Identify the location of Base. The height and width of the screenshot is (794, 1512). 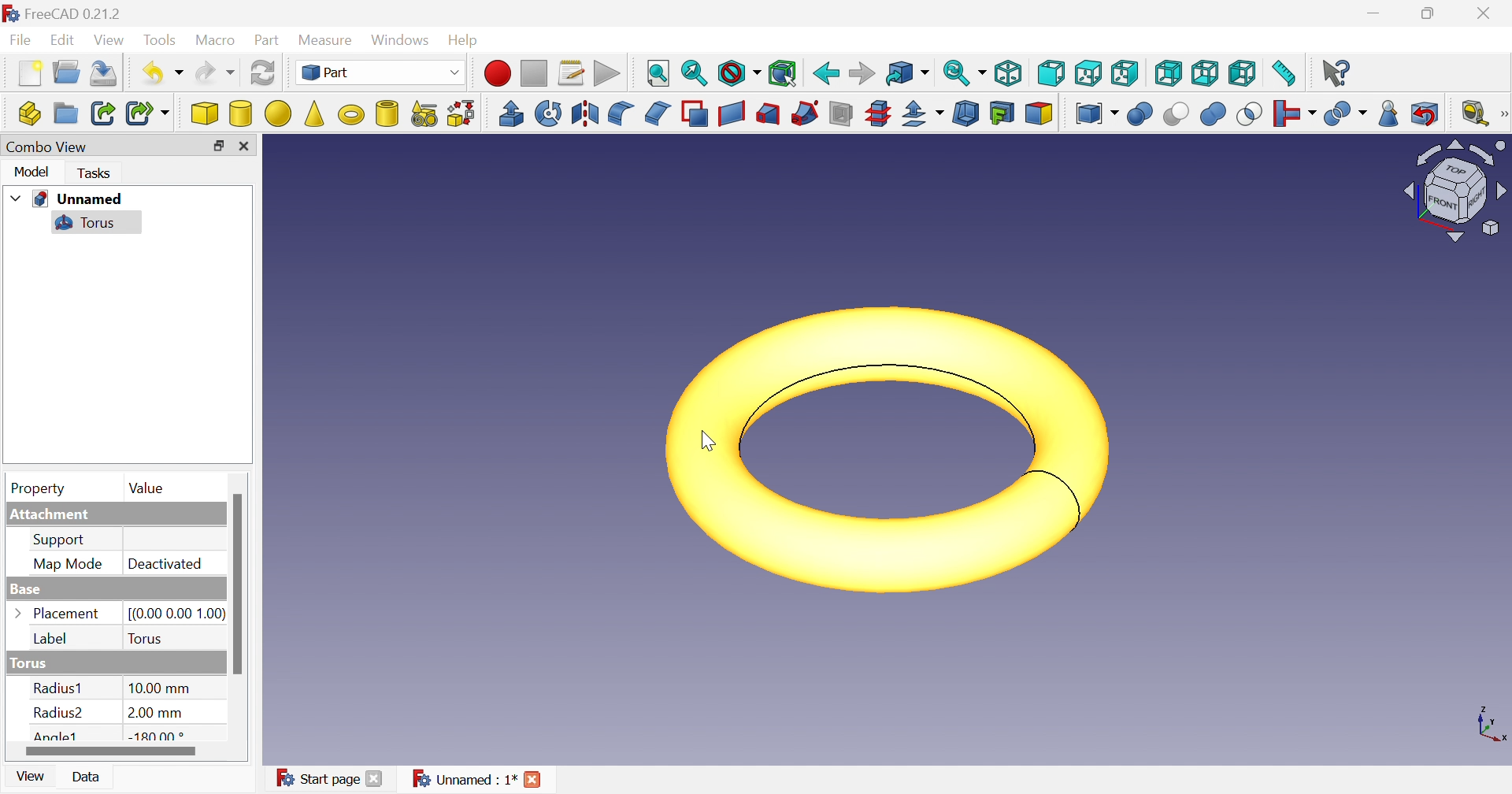
(23, 590).